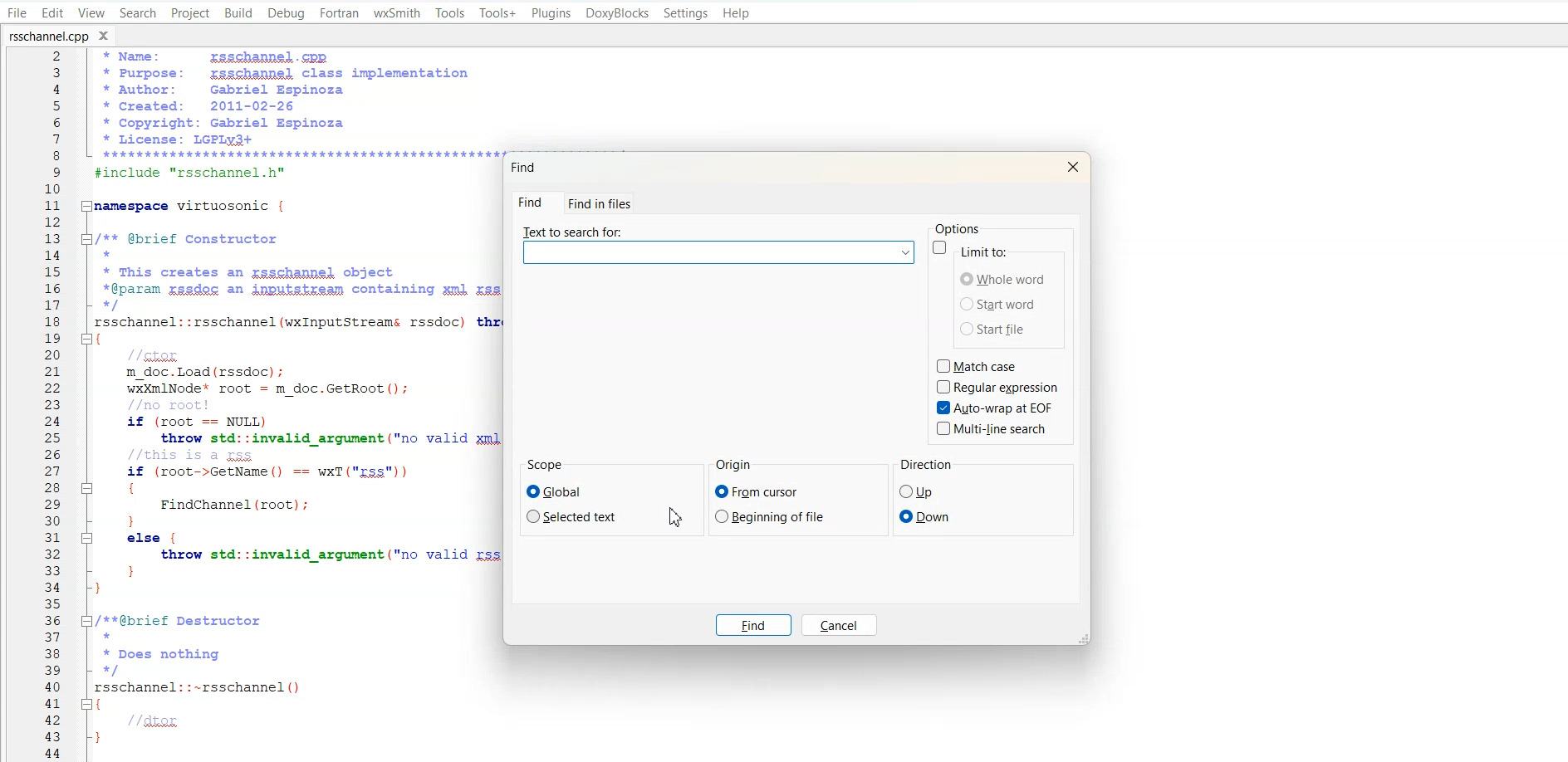  What do you see at coordinates (88, 239) in the screenshot?
I see `Collapse` at bounding box center [88, 239].